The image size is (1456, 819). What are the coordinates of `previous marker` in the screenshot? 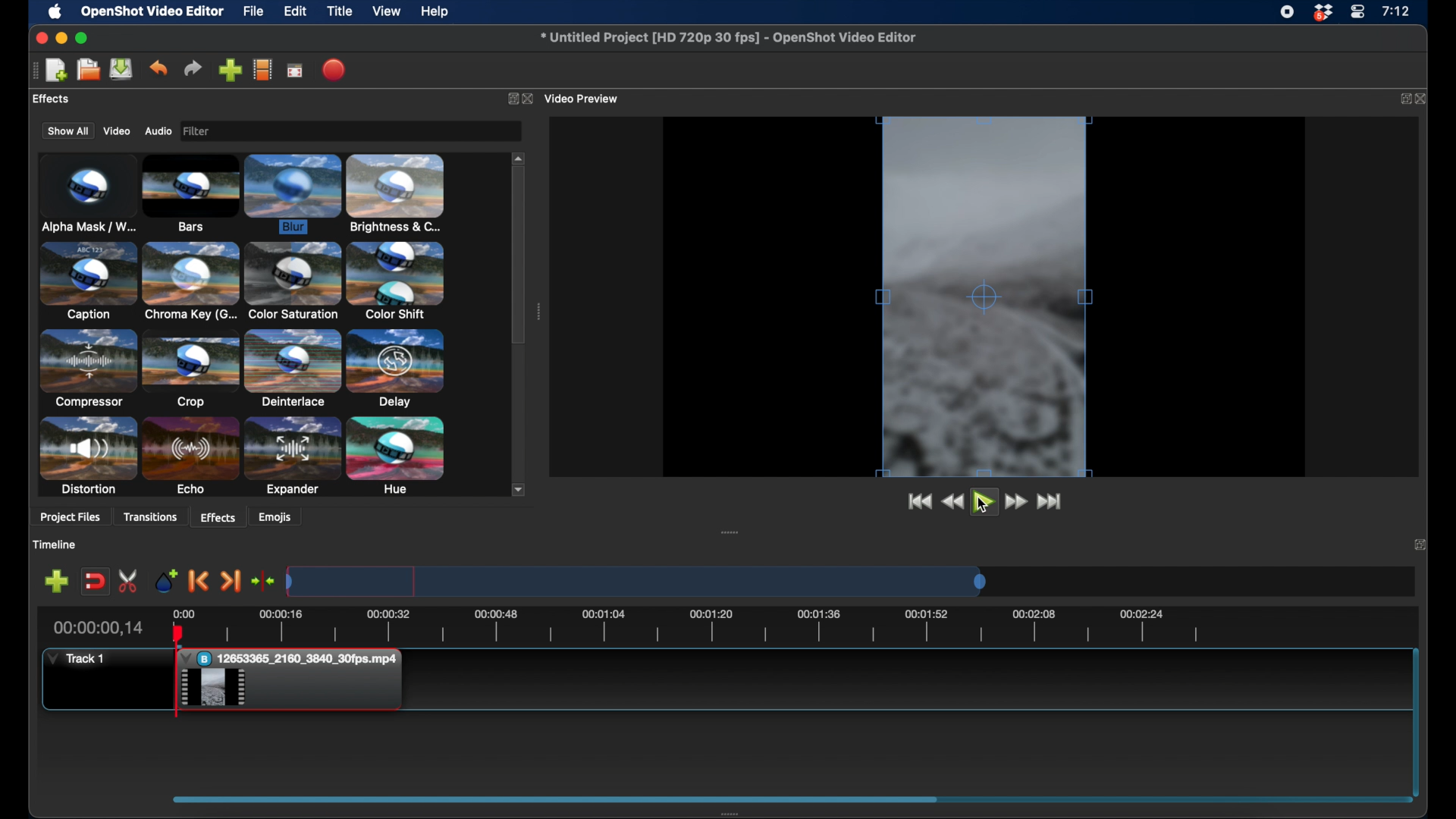 It's located at (199, 581).